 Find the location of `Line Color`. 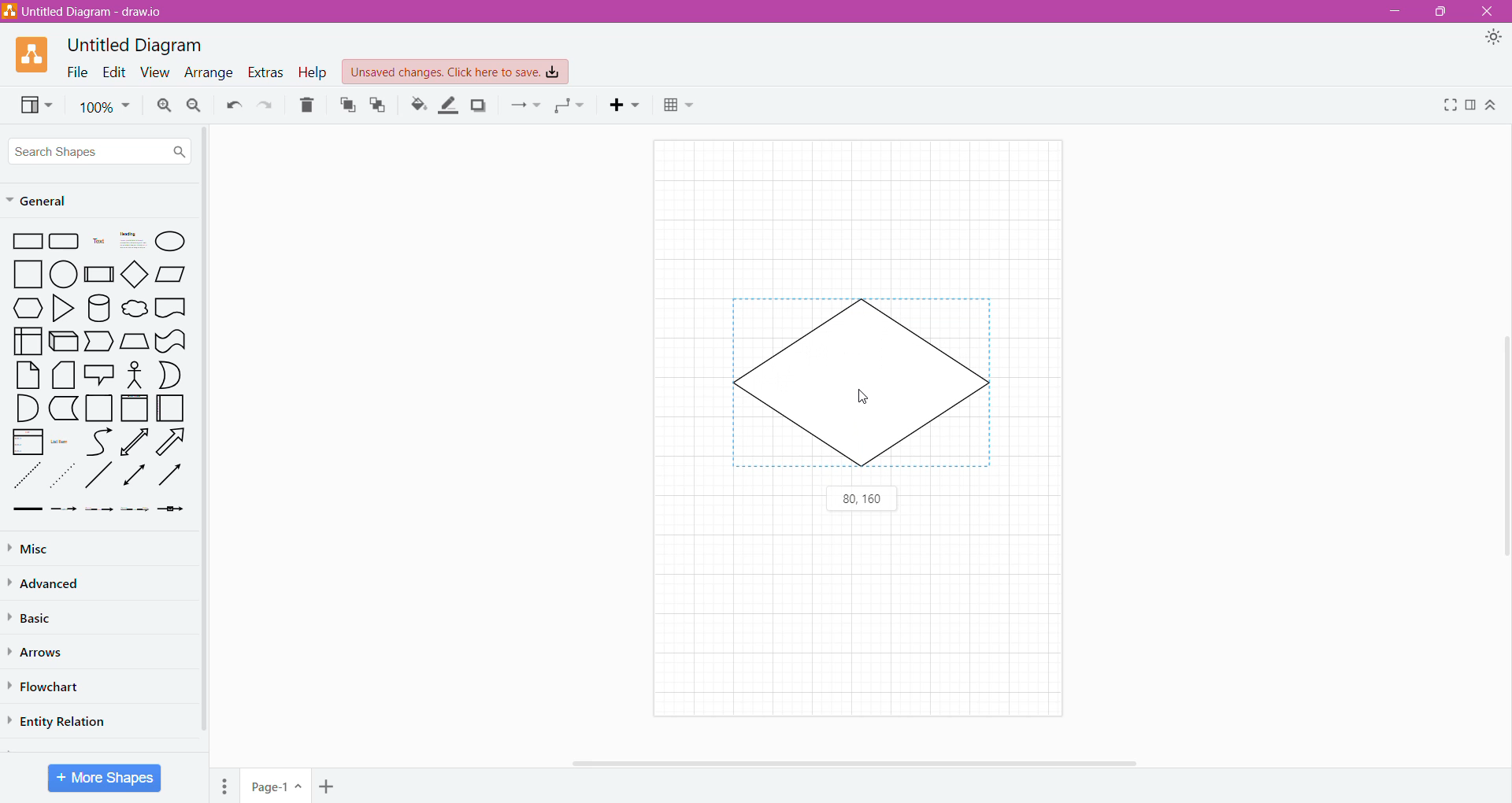

Line Color is located at coordinates (449, 105).